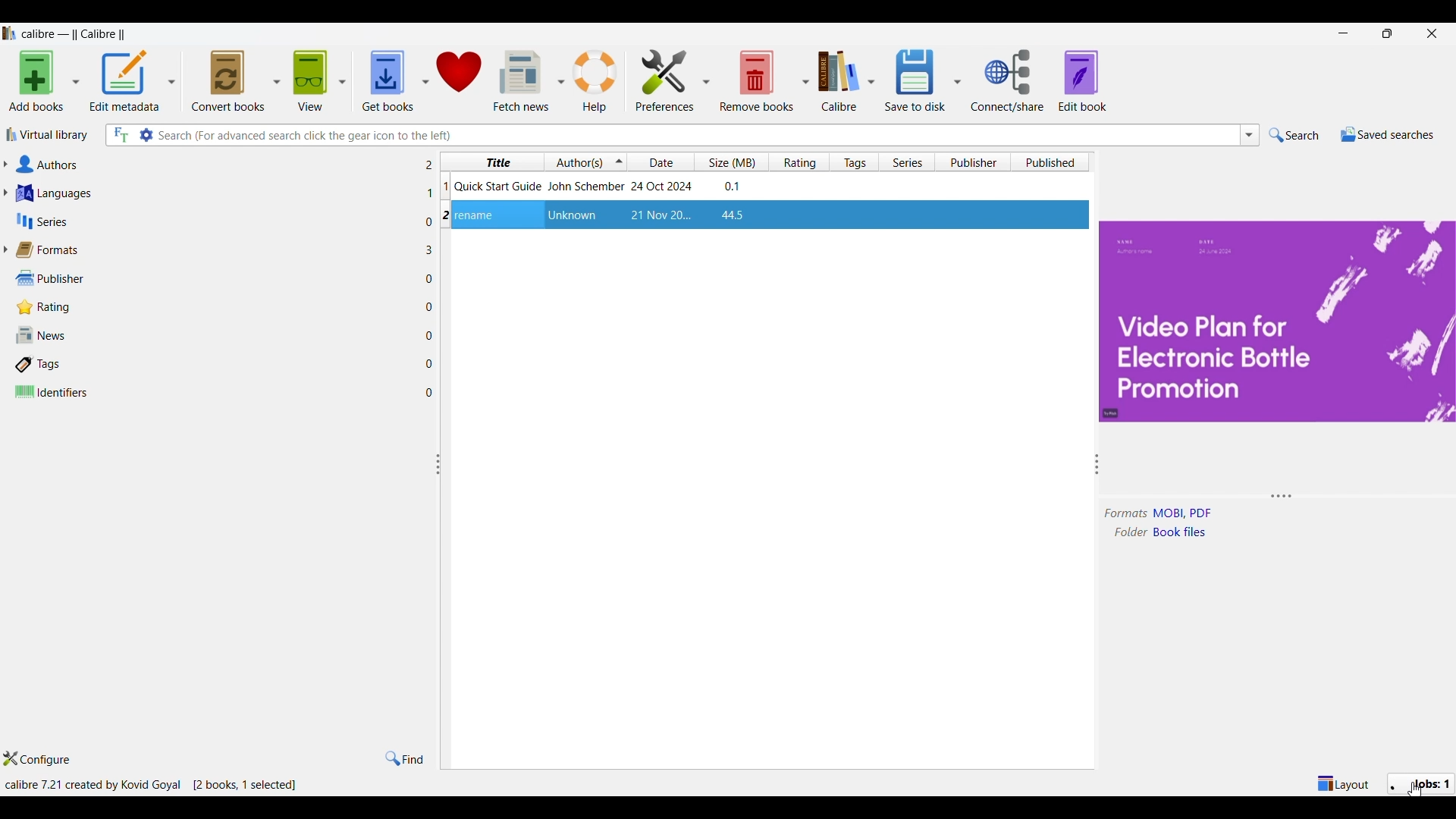  What do you see at coordinates (563, 80) in the screenshot?
I see `Fetch news options` at bounding box center [563, 80].